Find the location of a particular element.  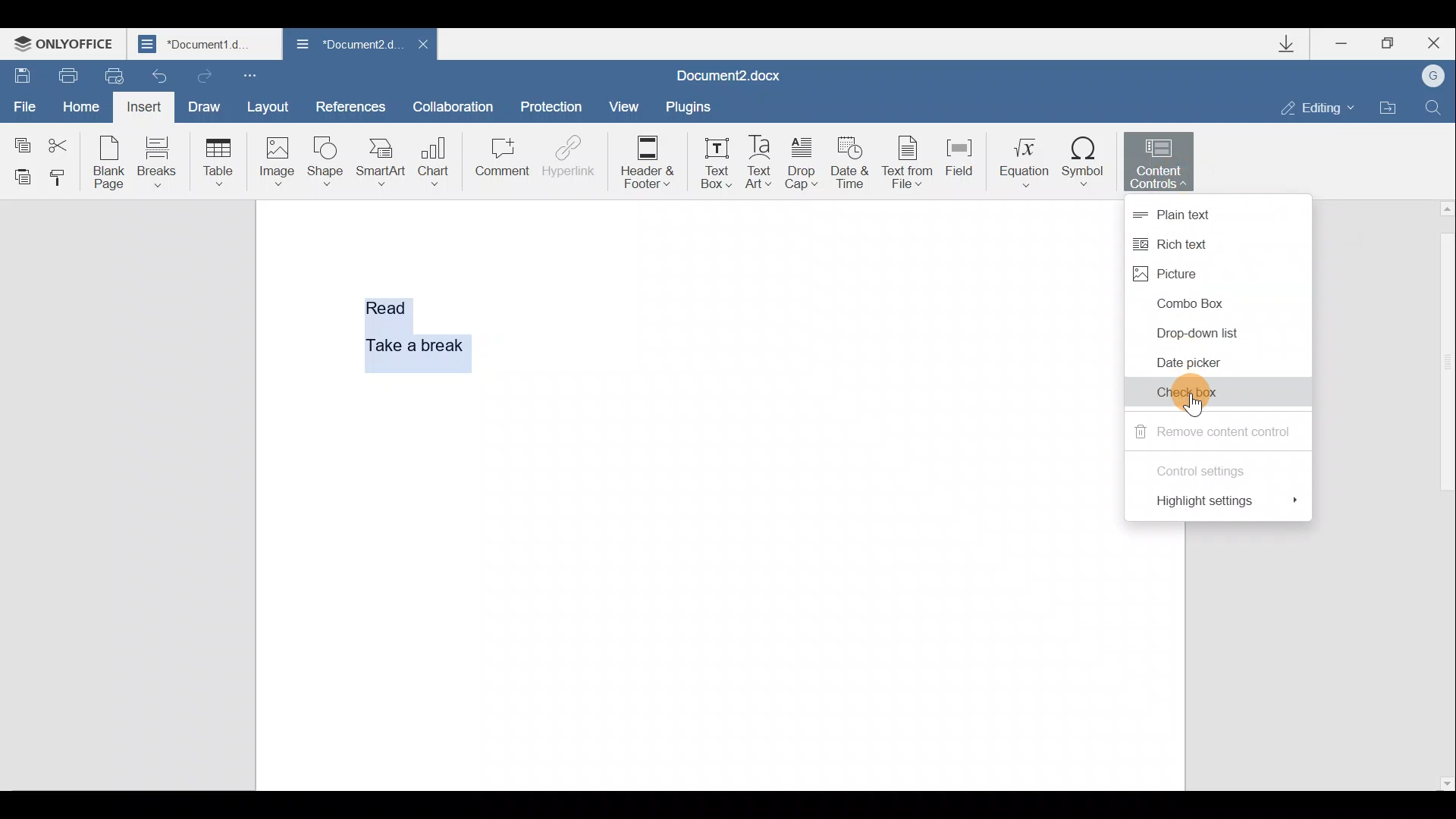

Remove content control is located at coordinates (1212, 431).